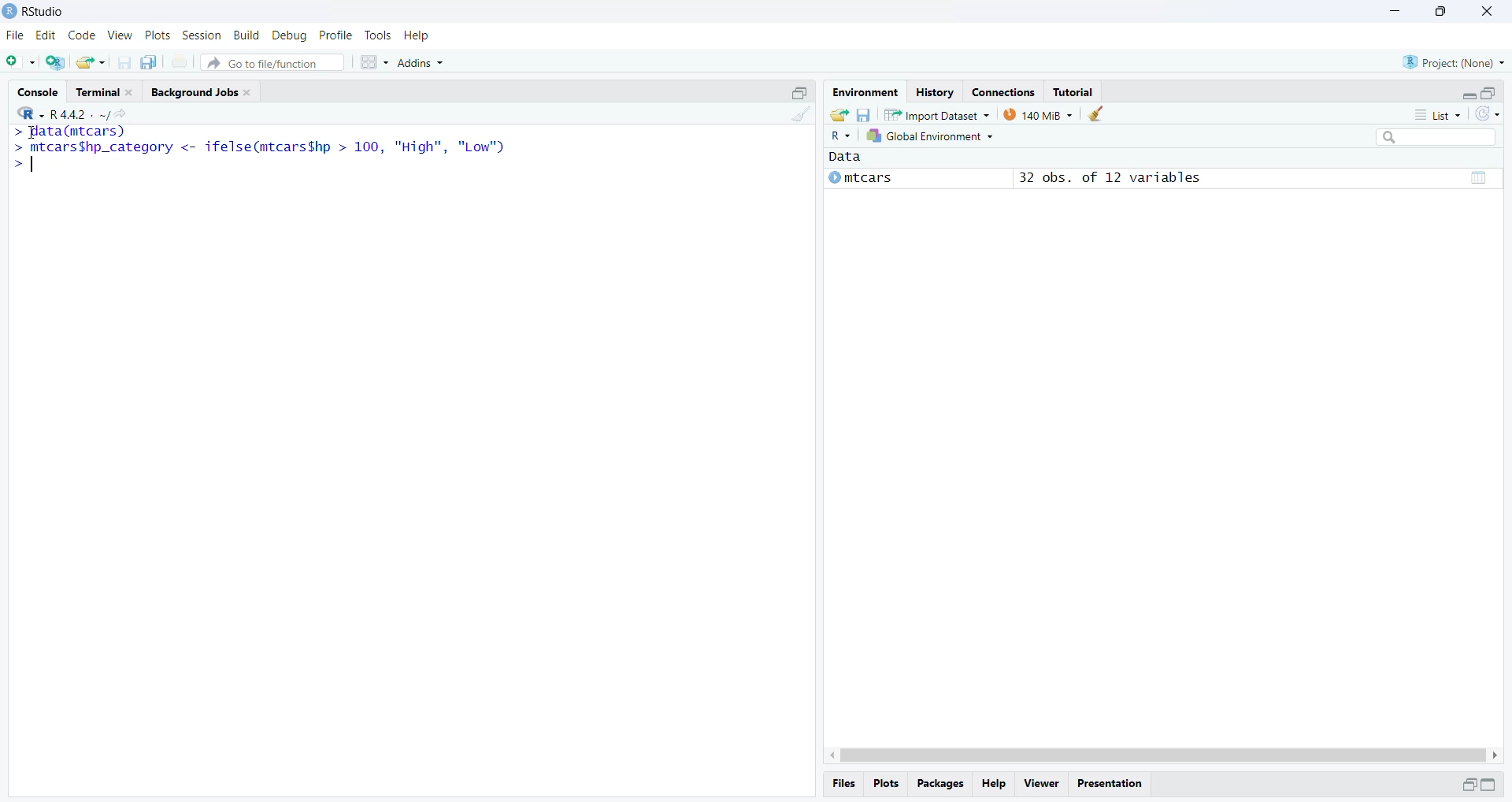 This screenshot has width=1512, height=802. I want to click on Save all open documents (Ctrl + Alt + S), so click(154, 62).